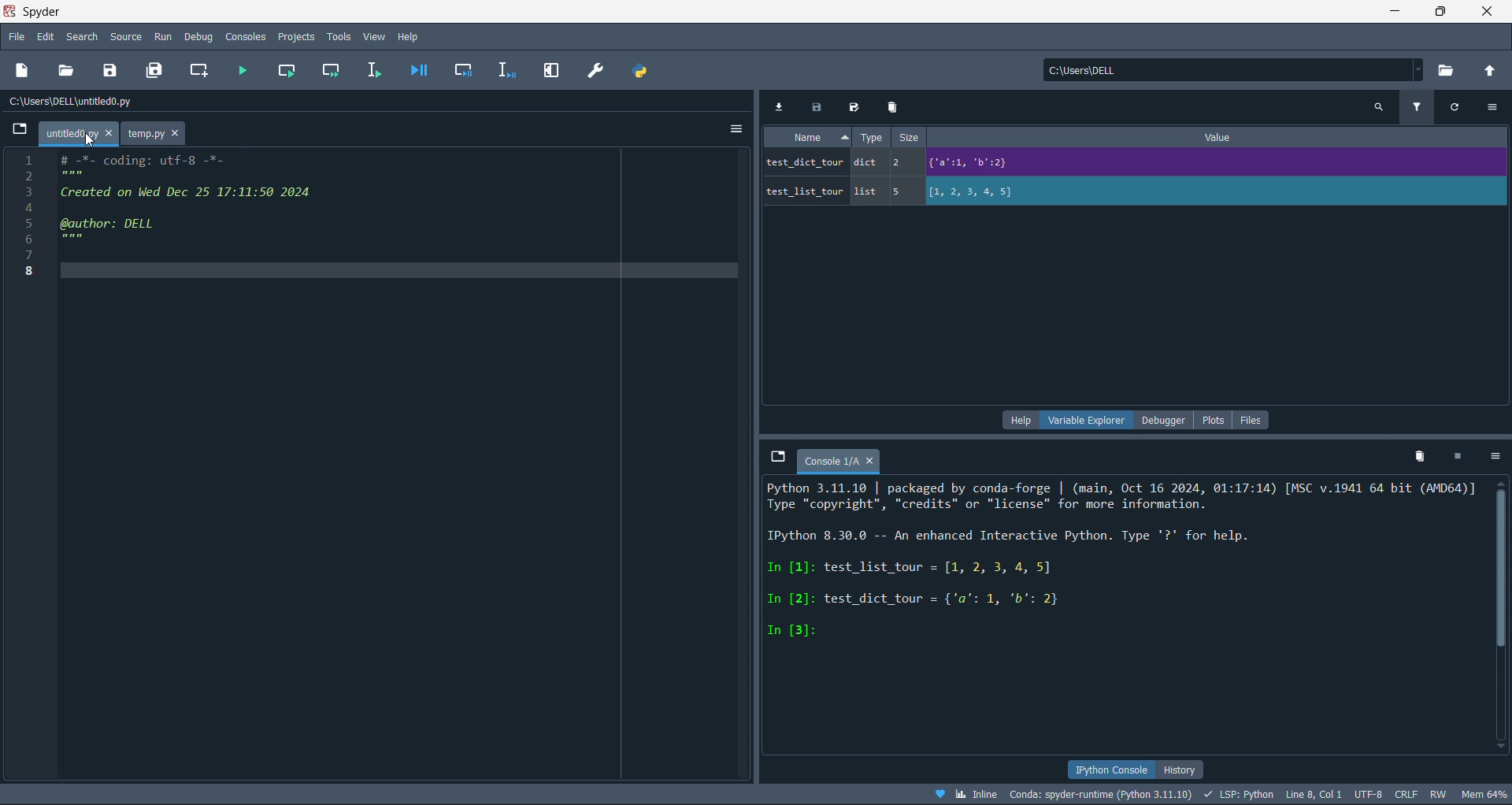 This screenshot has width=1512, height=805. What do you see at coordinates (1496, 107) in the screenshot?
I see `options` at bounding box center [1496, 107].